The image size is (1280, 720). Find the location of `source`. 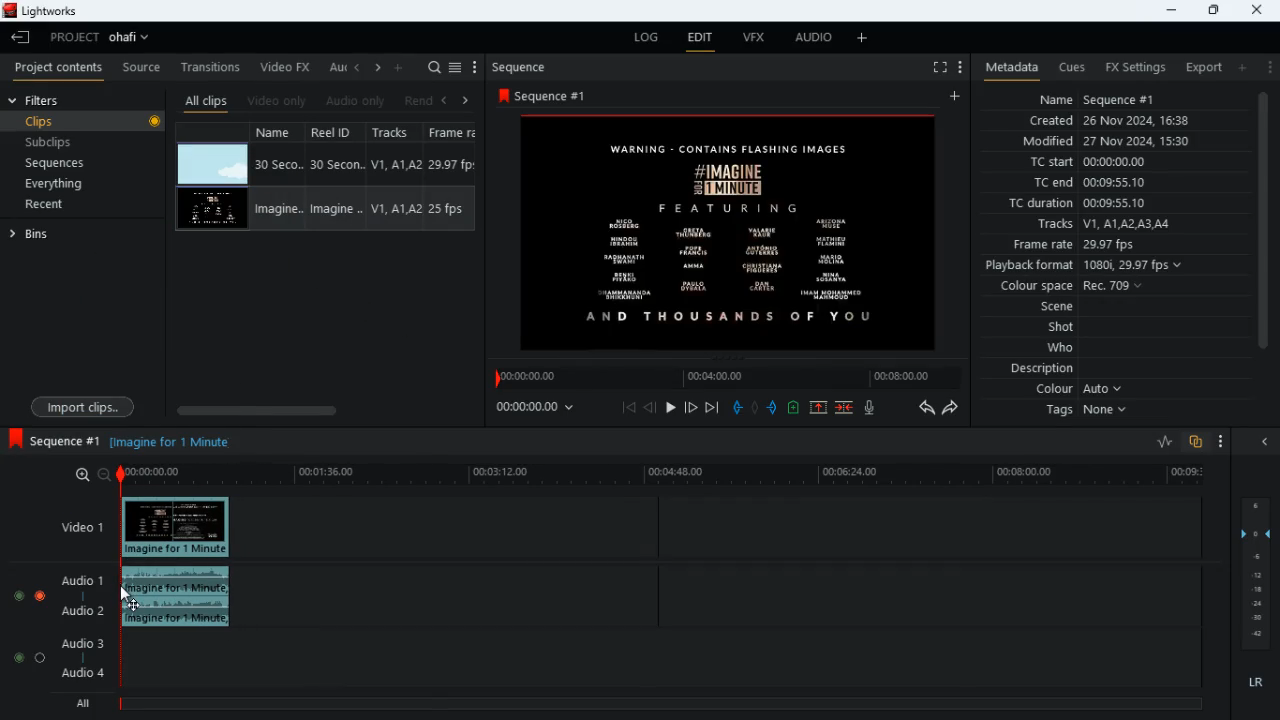

source is located at coordinates (141, 68).